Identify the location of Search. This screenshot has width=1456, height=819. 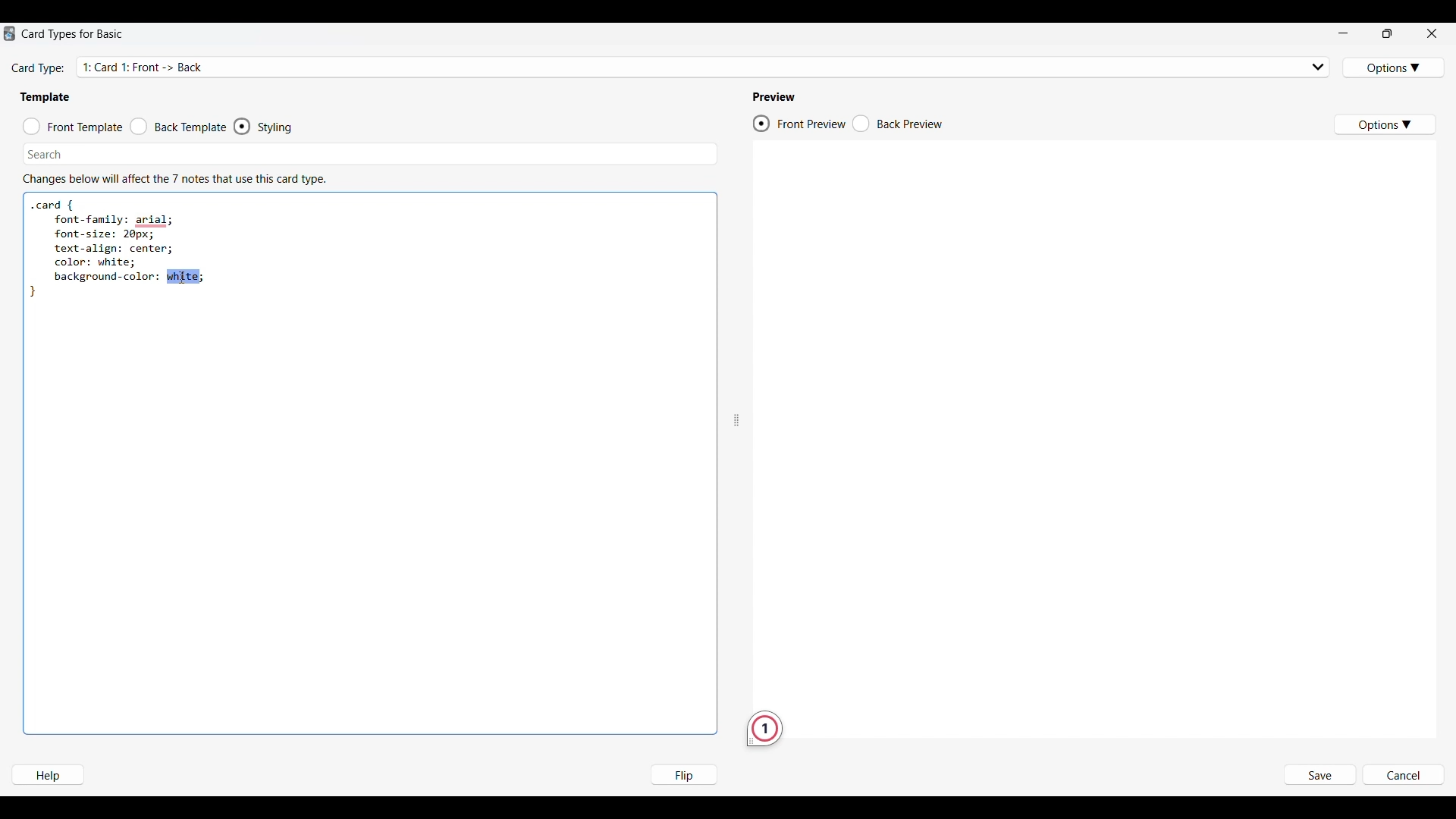
(45, 154).